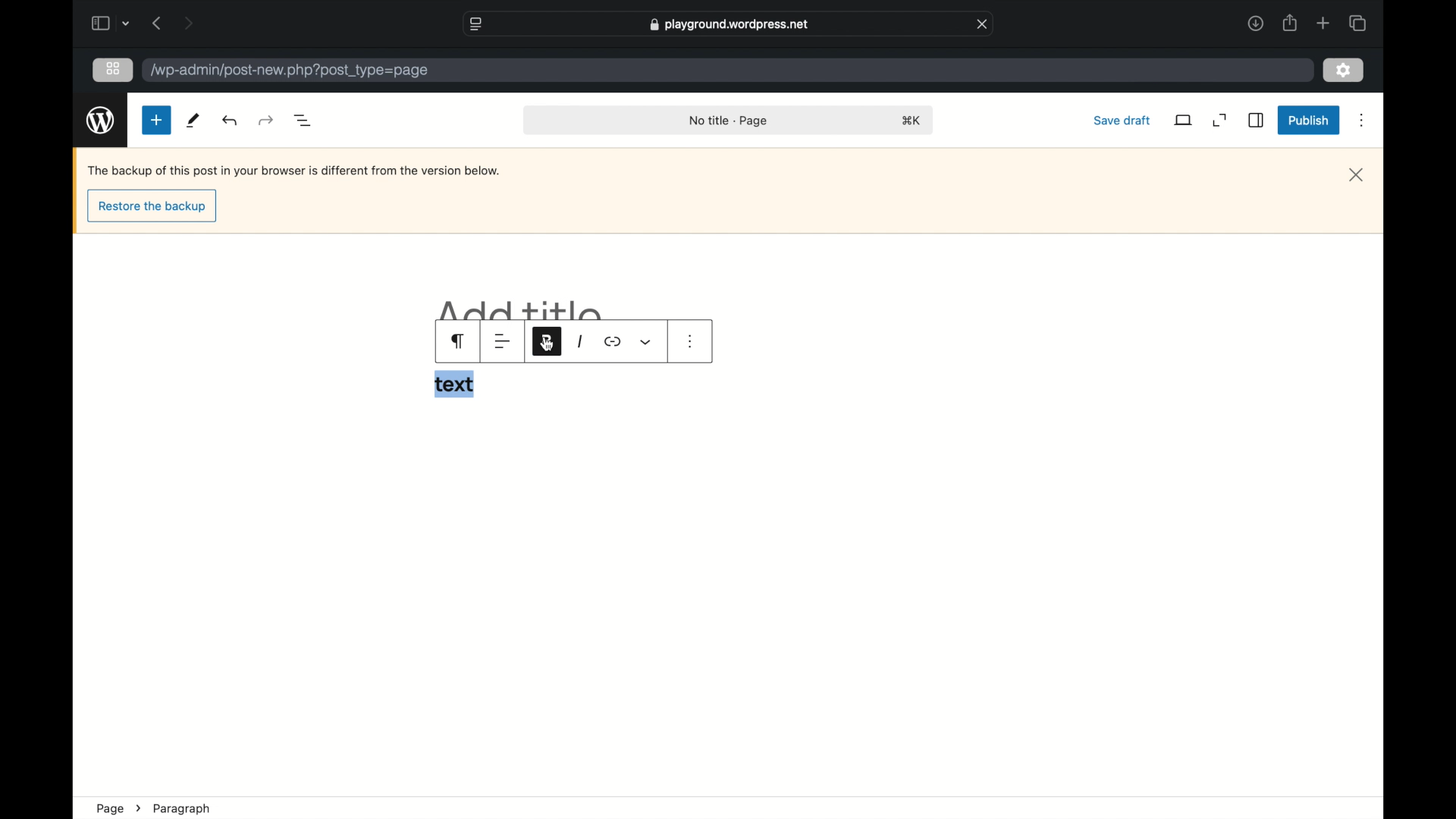  I want to click on bold, so click(547, 340).